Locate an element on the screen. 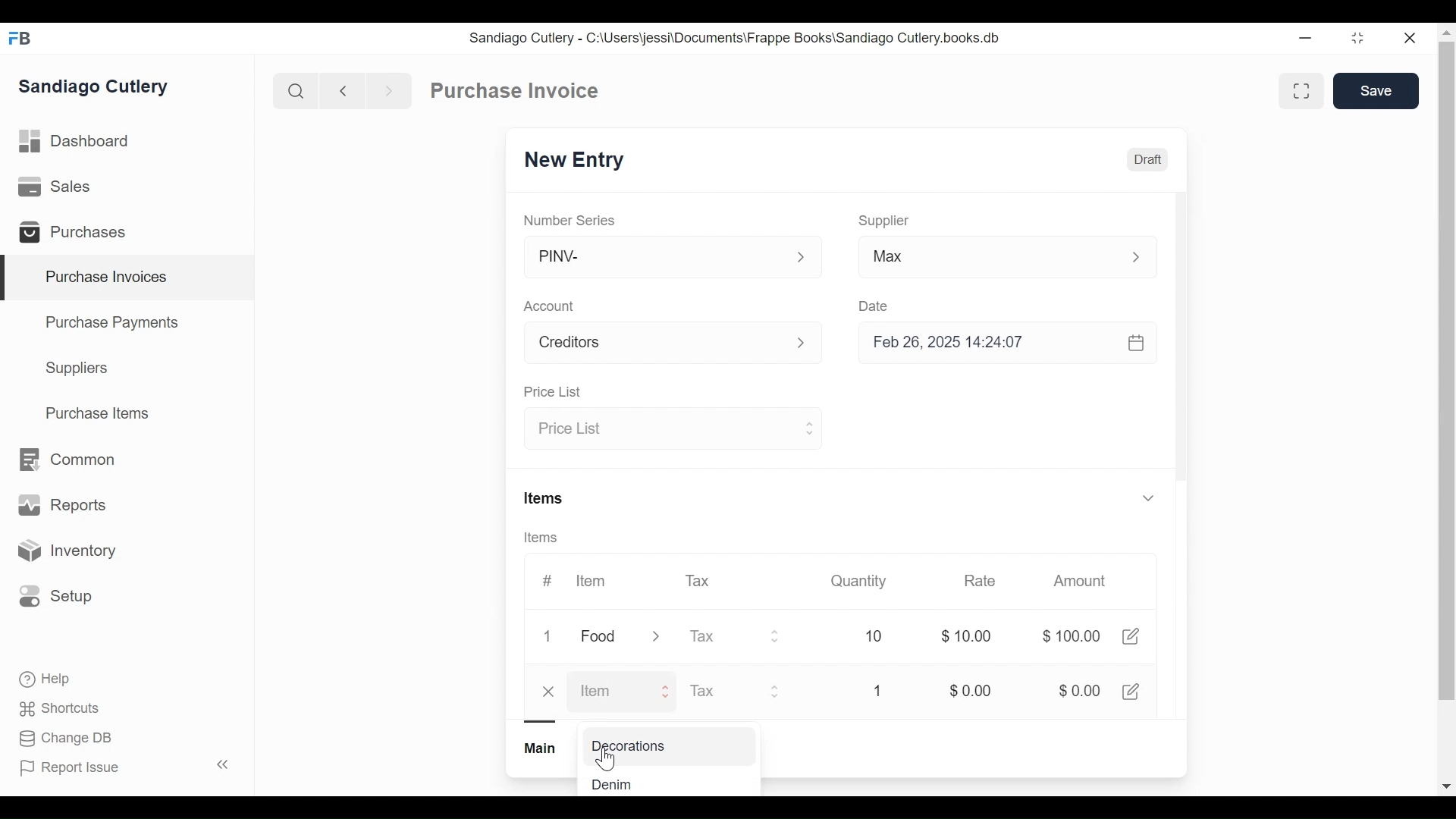  Main is located at coordinates (540, 748).